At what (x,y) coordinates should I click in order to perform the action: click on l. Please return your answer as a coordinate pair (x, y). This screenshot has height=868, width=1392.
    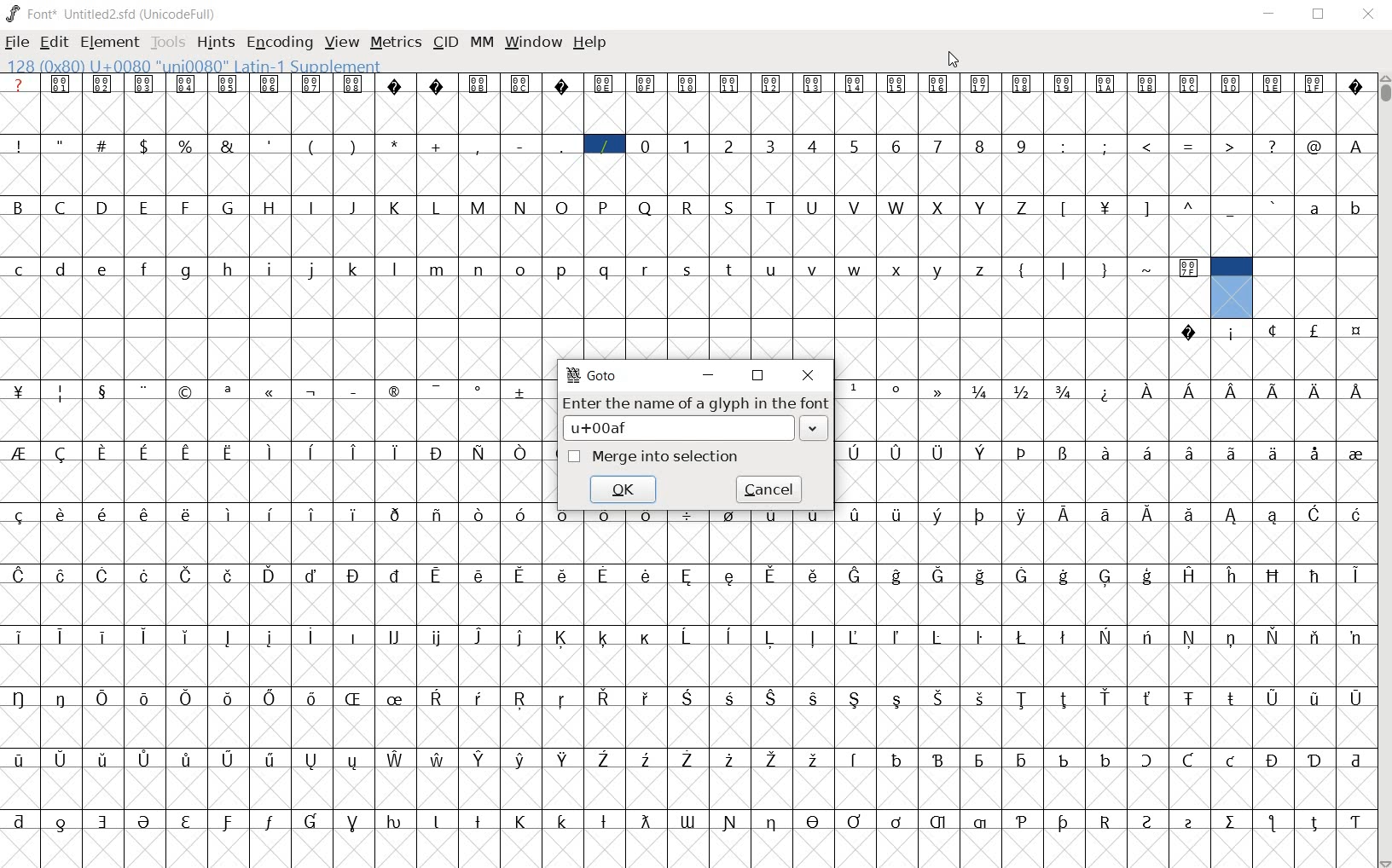
    Looking at the image, I should click on (397, 267).